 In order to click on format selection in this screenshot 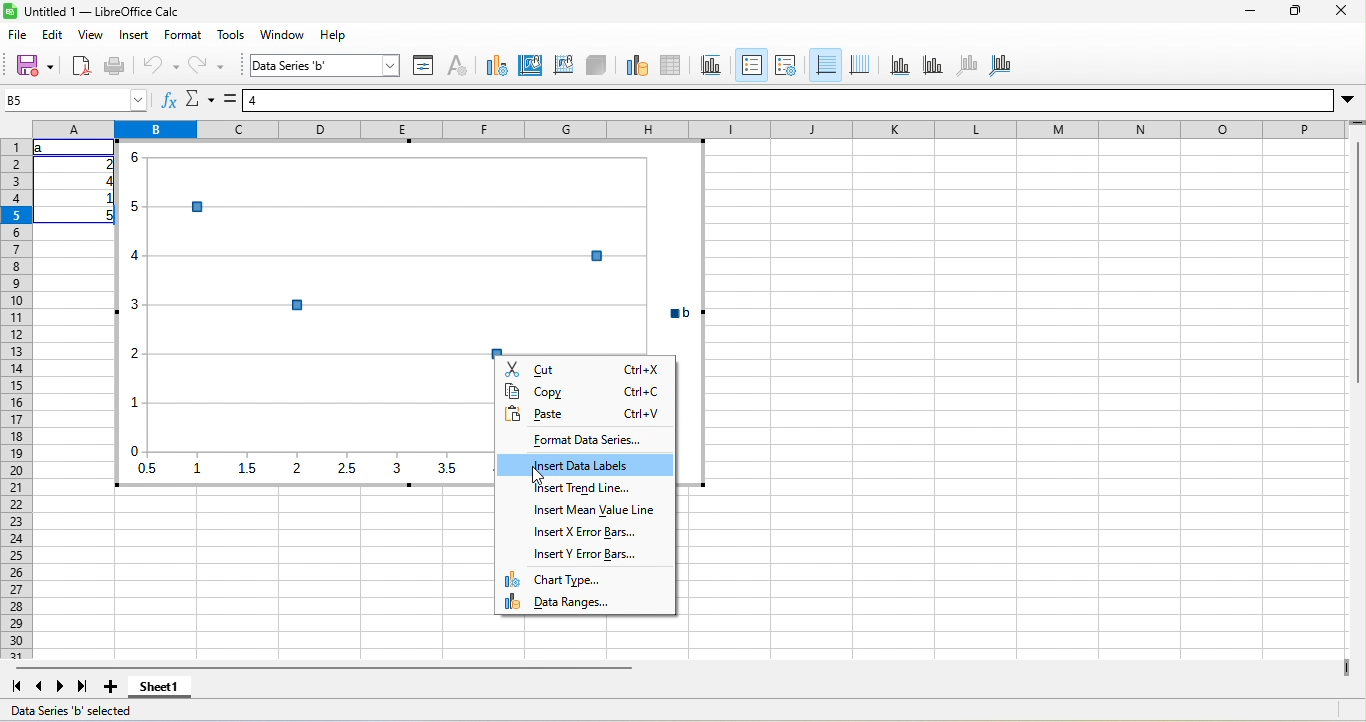, I will do `click(423, 67)`.